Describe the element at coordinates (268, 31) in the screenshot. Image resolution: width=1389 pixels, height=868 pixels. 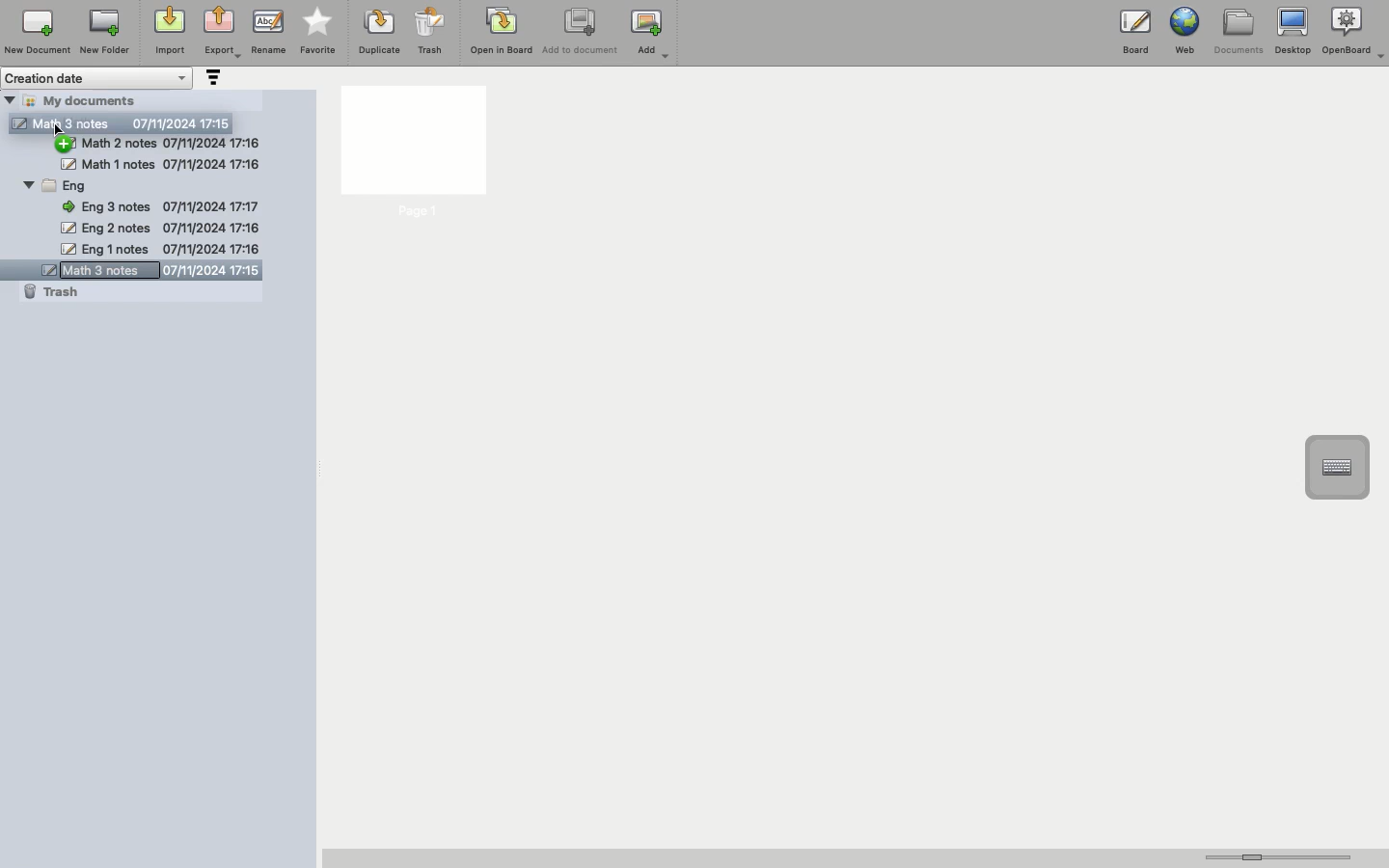
I see `Rename` at that location.